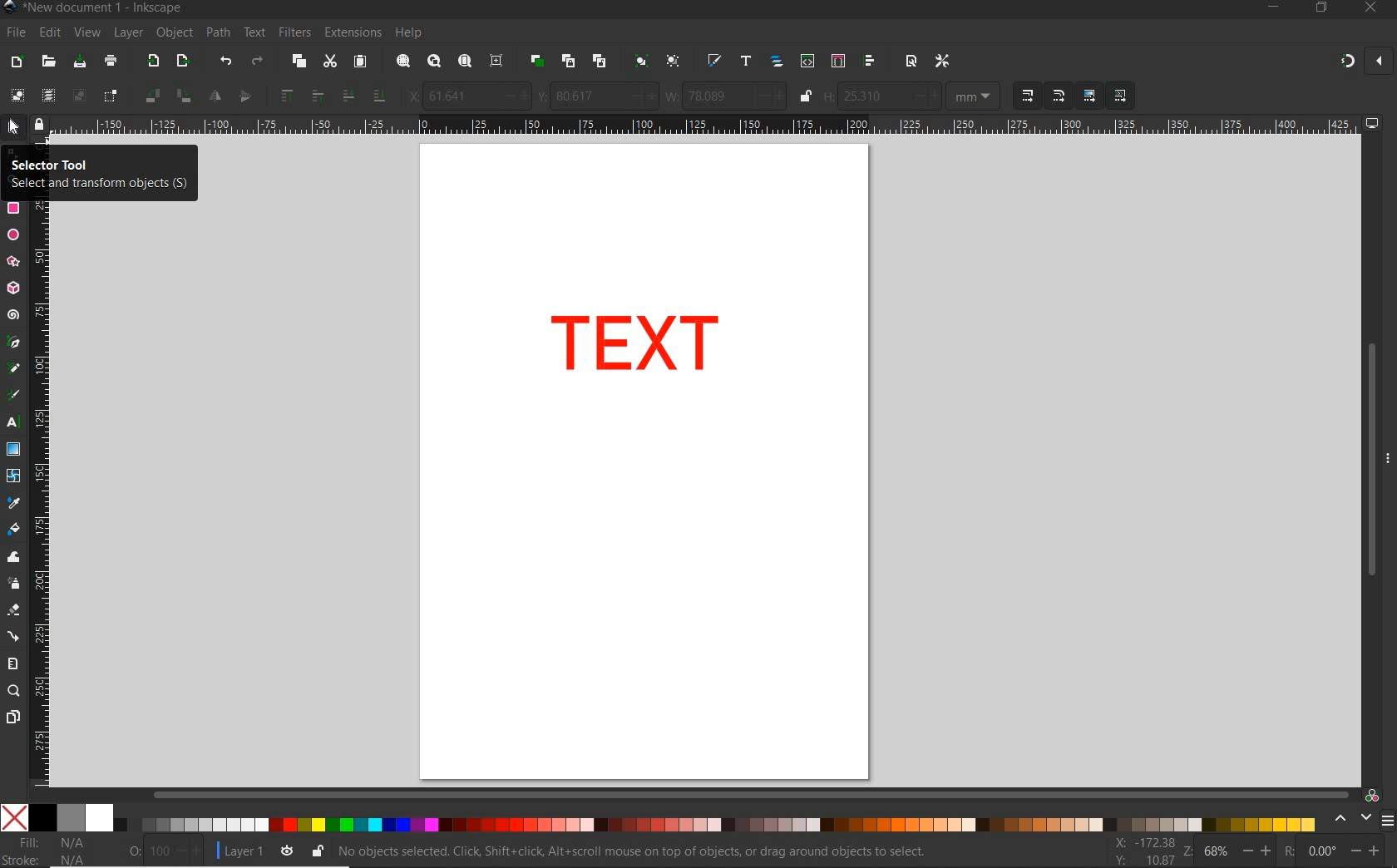  Describe the element at coordinates (50, 61) in the screenshot. I see `open file dialog` at that location.